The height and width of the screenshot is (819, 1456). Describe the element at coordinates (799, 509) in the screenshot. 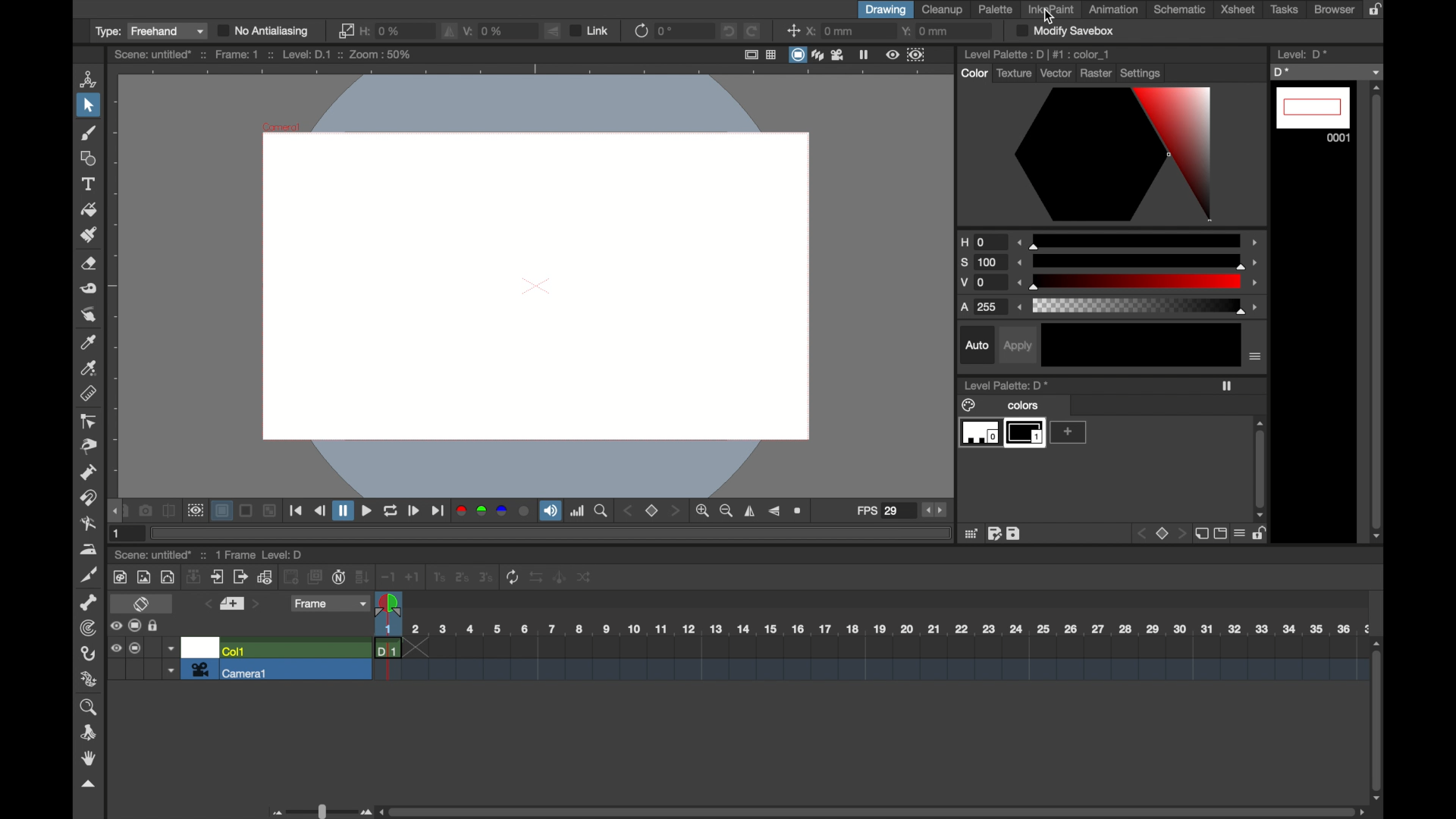

I see `zoom` at that location.